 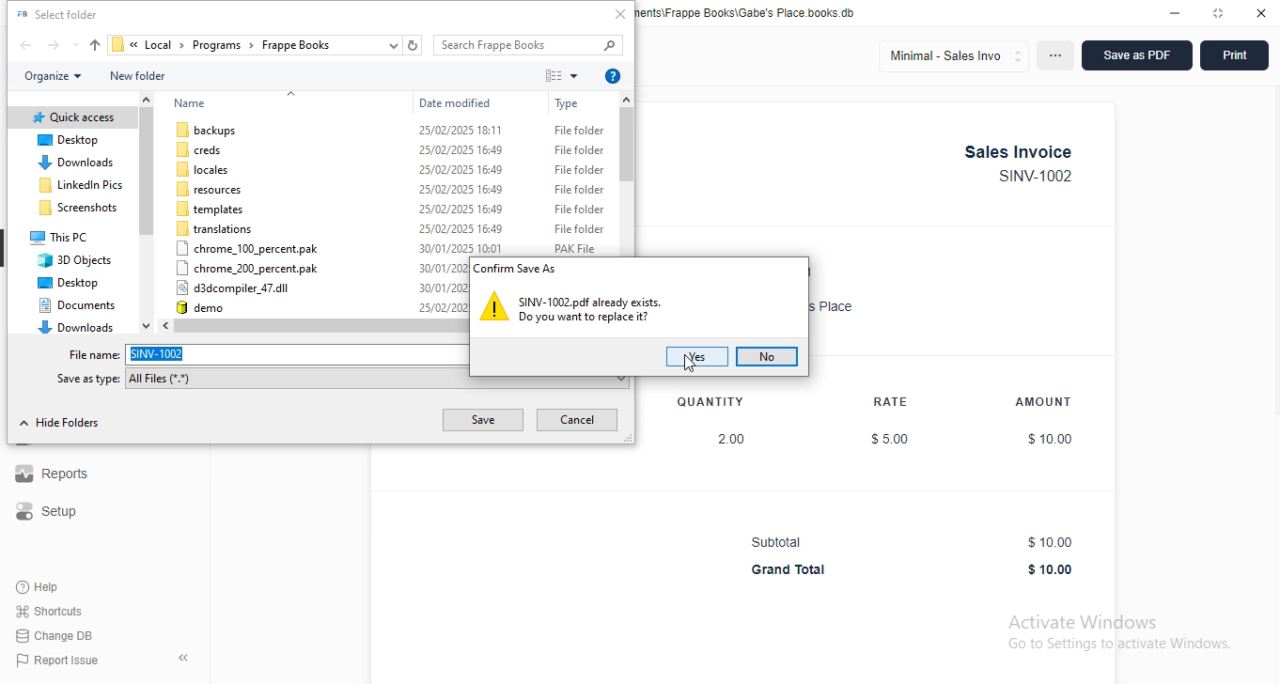 What do you see at coordinates (211, 209) in the screenshot?
I see `templates` at bounding box center [211, 209].